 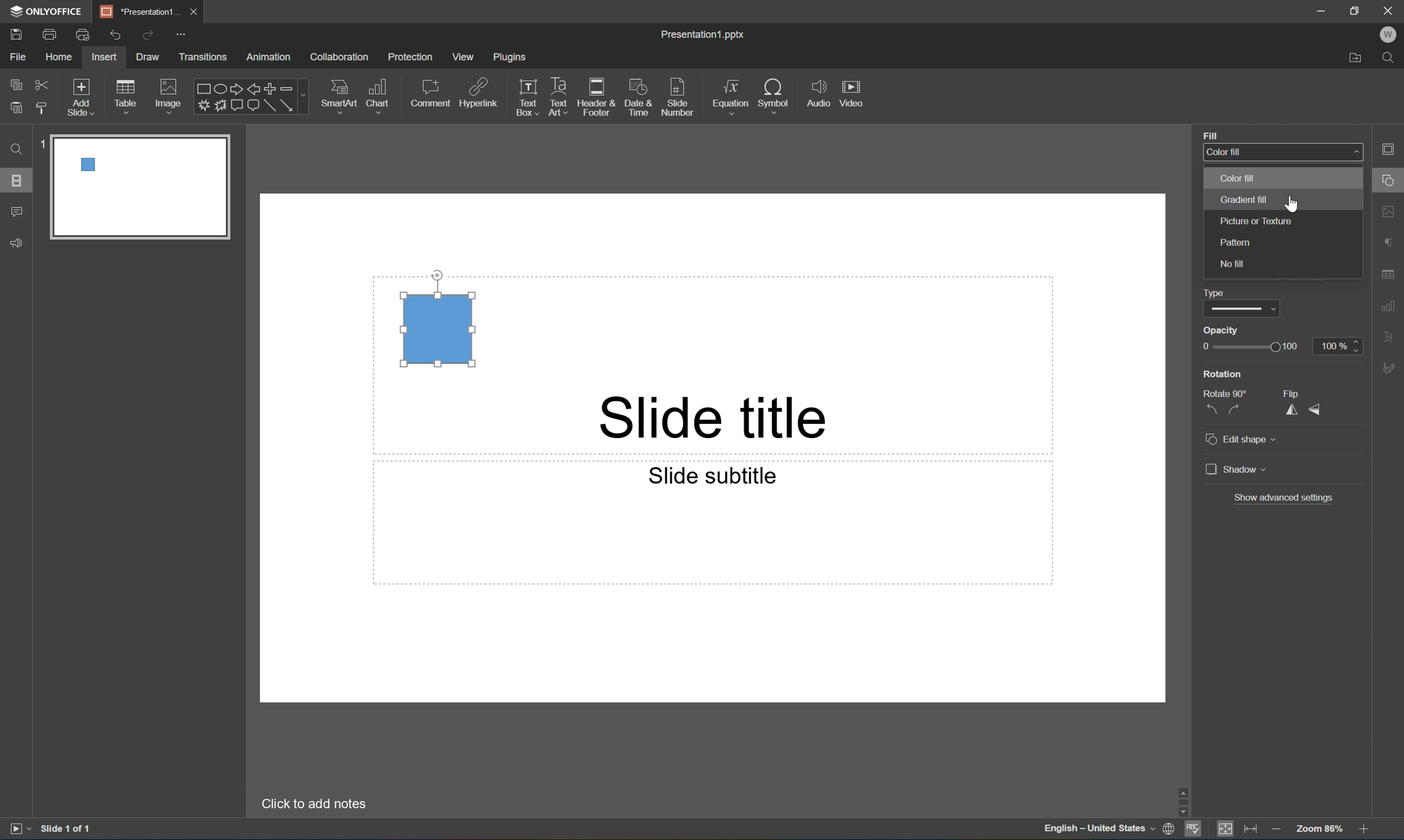 What do you see at coordinates (318, 804) in the screenshot?
I see `Click to add notes` at bounding box center [318, 804].